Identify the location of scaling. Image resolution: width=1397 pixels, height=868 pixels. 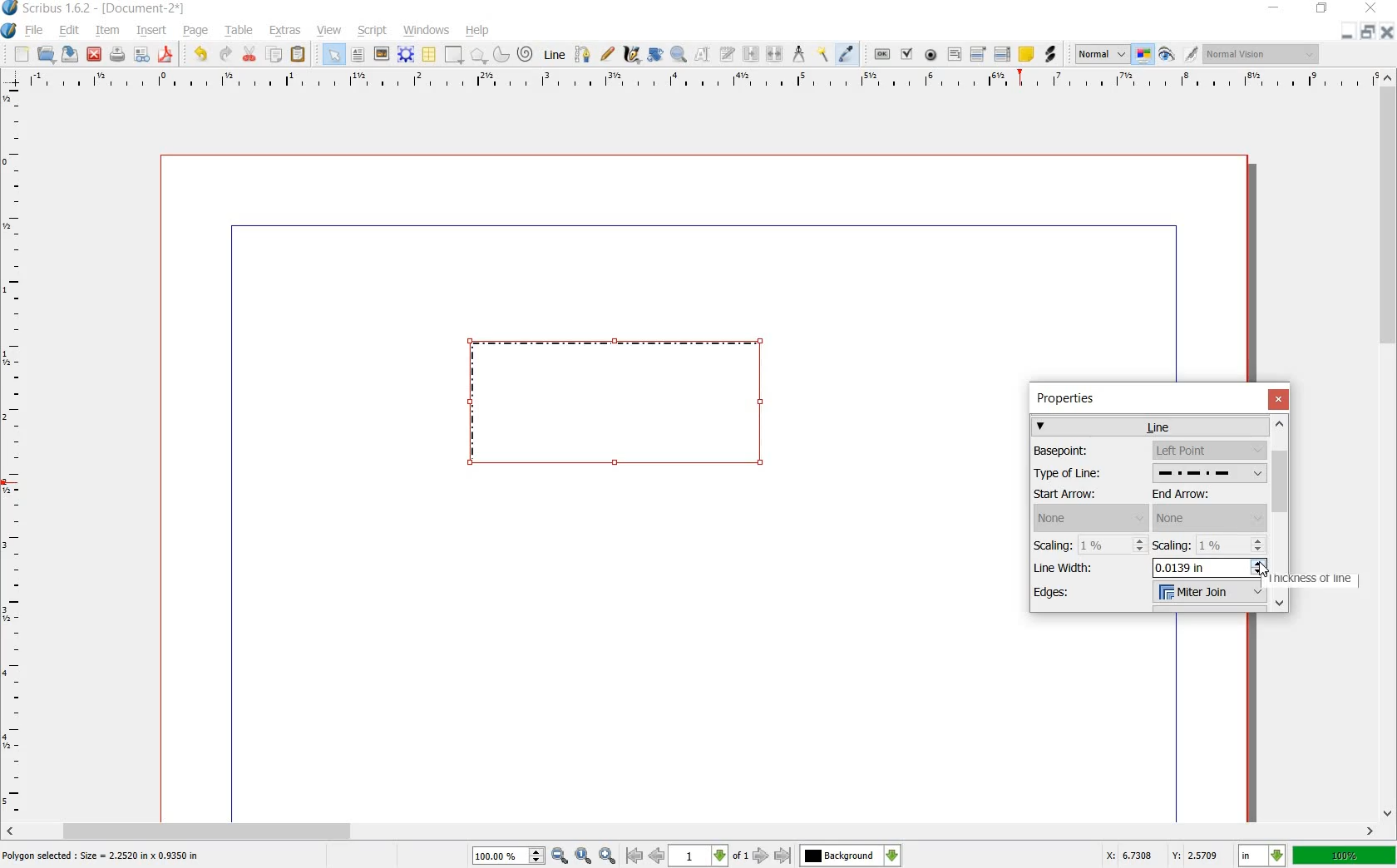
(1232, 545).